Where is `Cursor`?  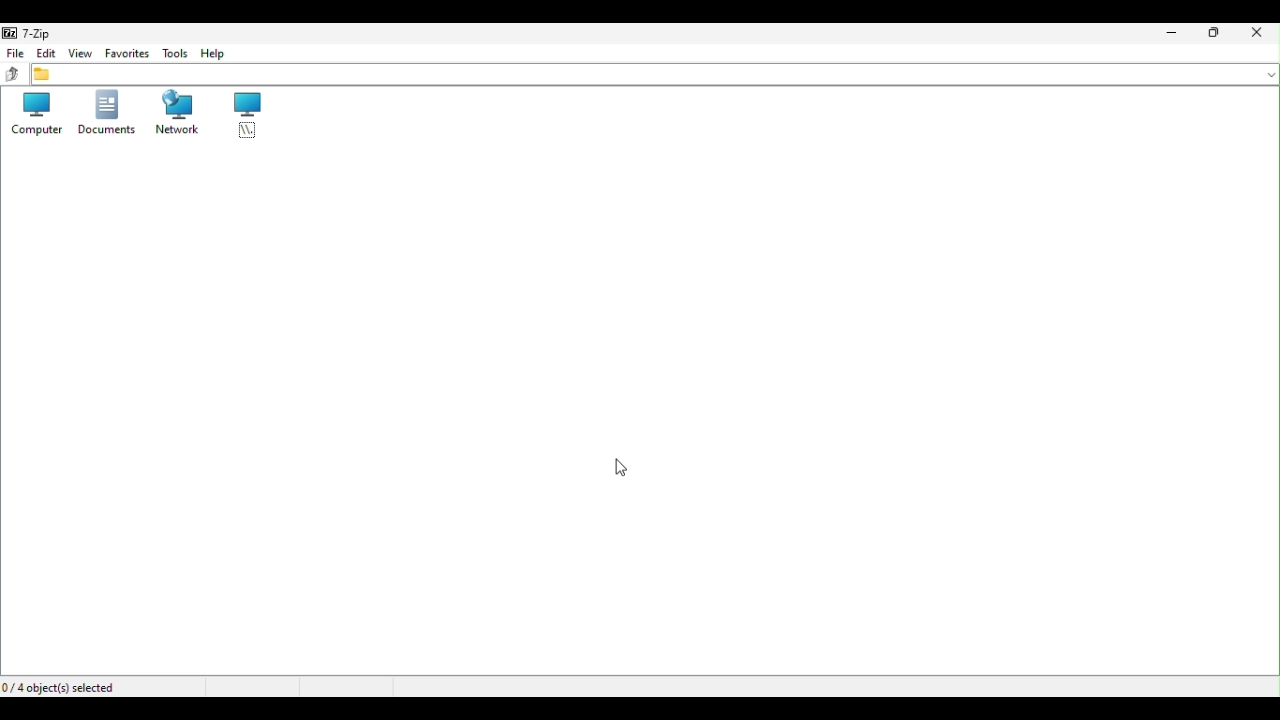 Cursor is located at coordinates (623, 467).